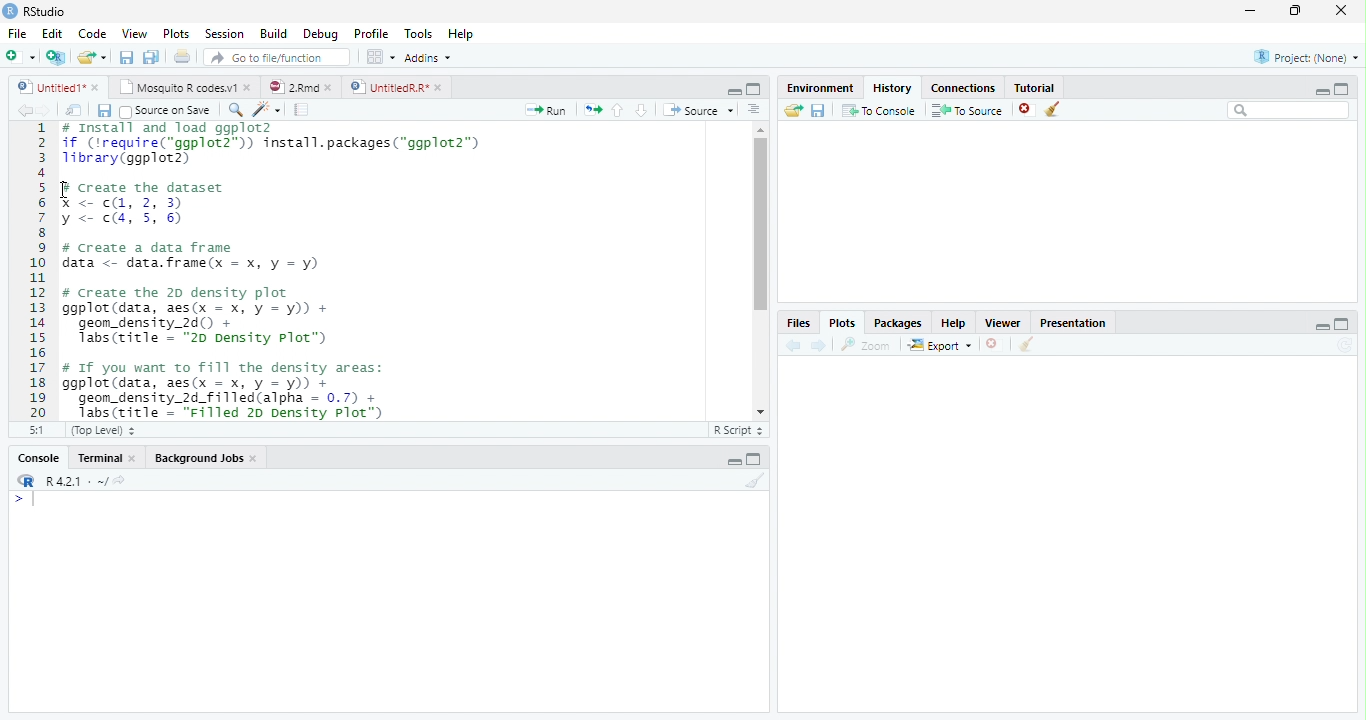 This screenshot has width=1366, height=720. What do you see at coordinates (379, 57) in the screenshot?
I see `wrokspace pan` at bounding box center [379, 57].